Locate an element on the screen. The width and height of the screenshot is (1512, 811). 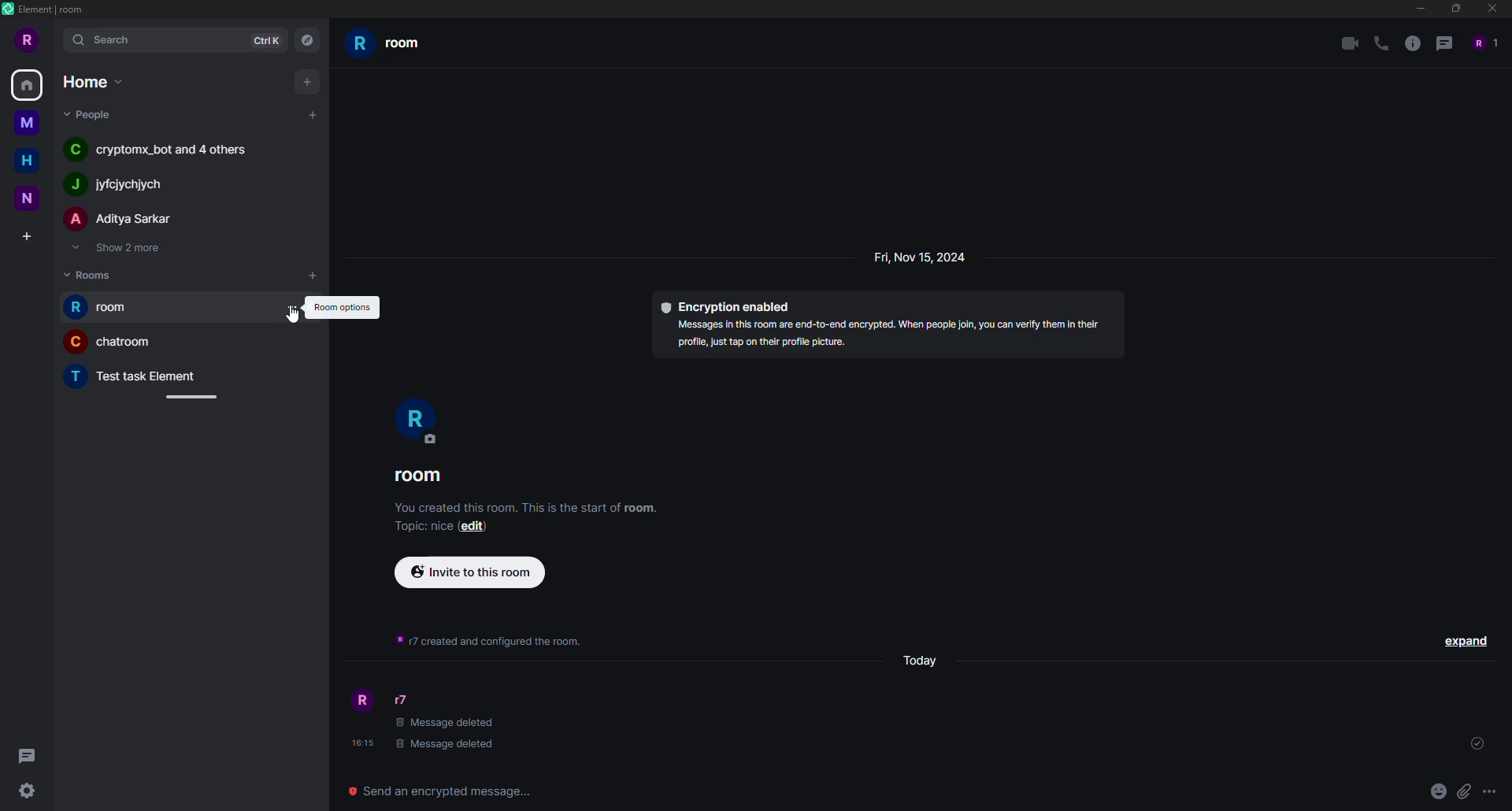
attach is located at coordinates (1463, 791).